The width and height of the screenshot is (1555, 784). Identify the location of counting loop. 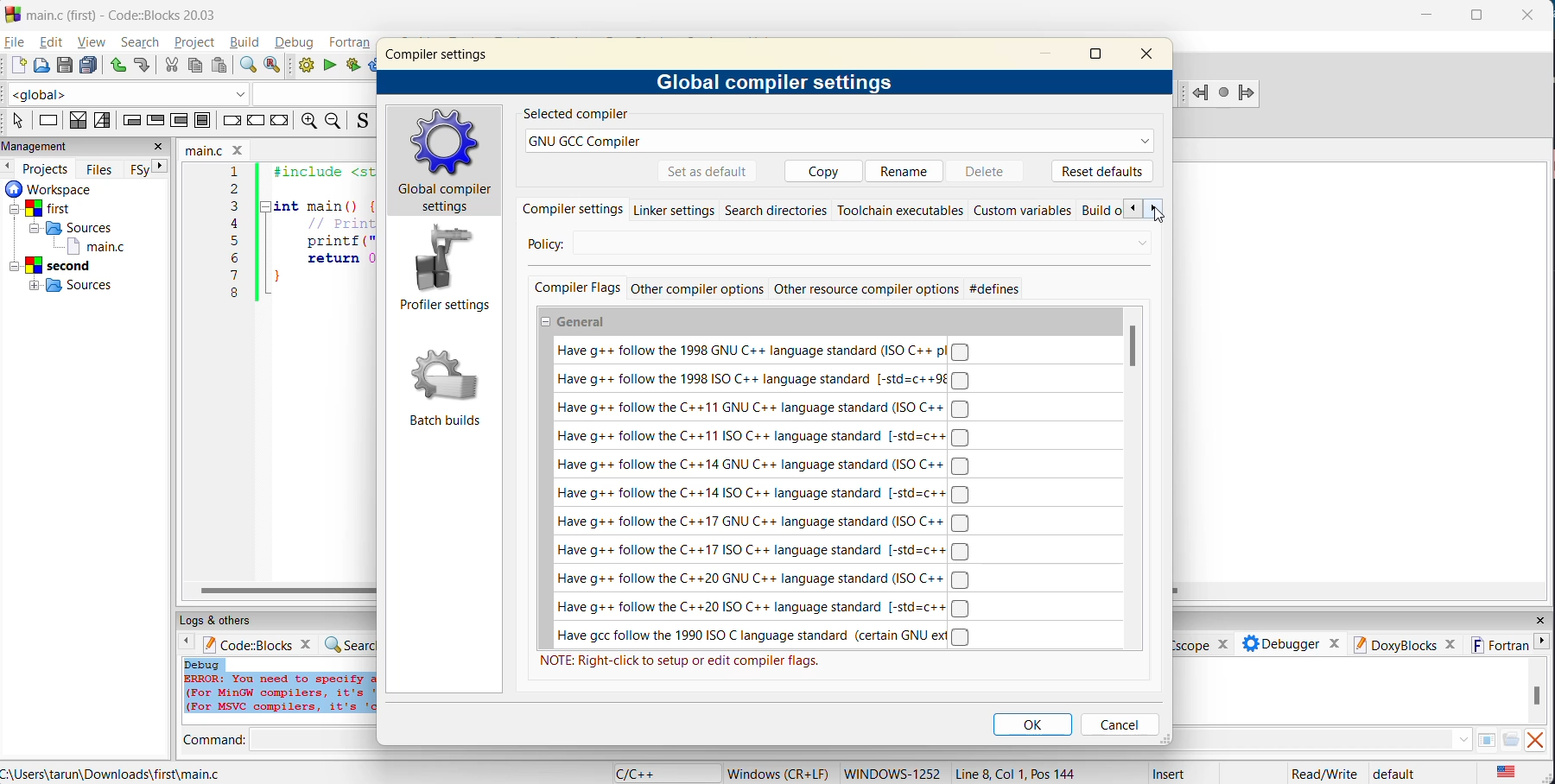
(181, 122).